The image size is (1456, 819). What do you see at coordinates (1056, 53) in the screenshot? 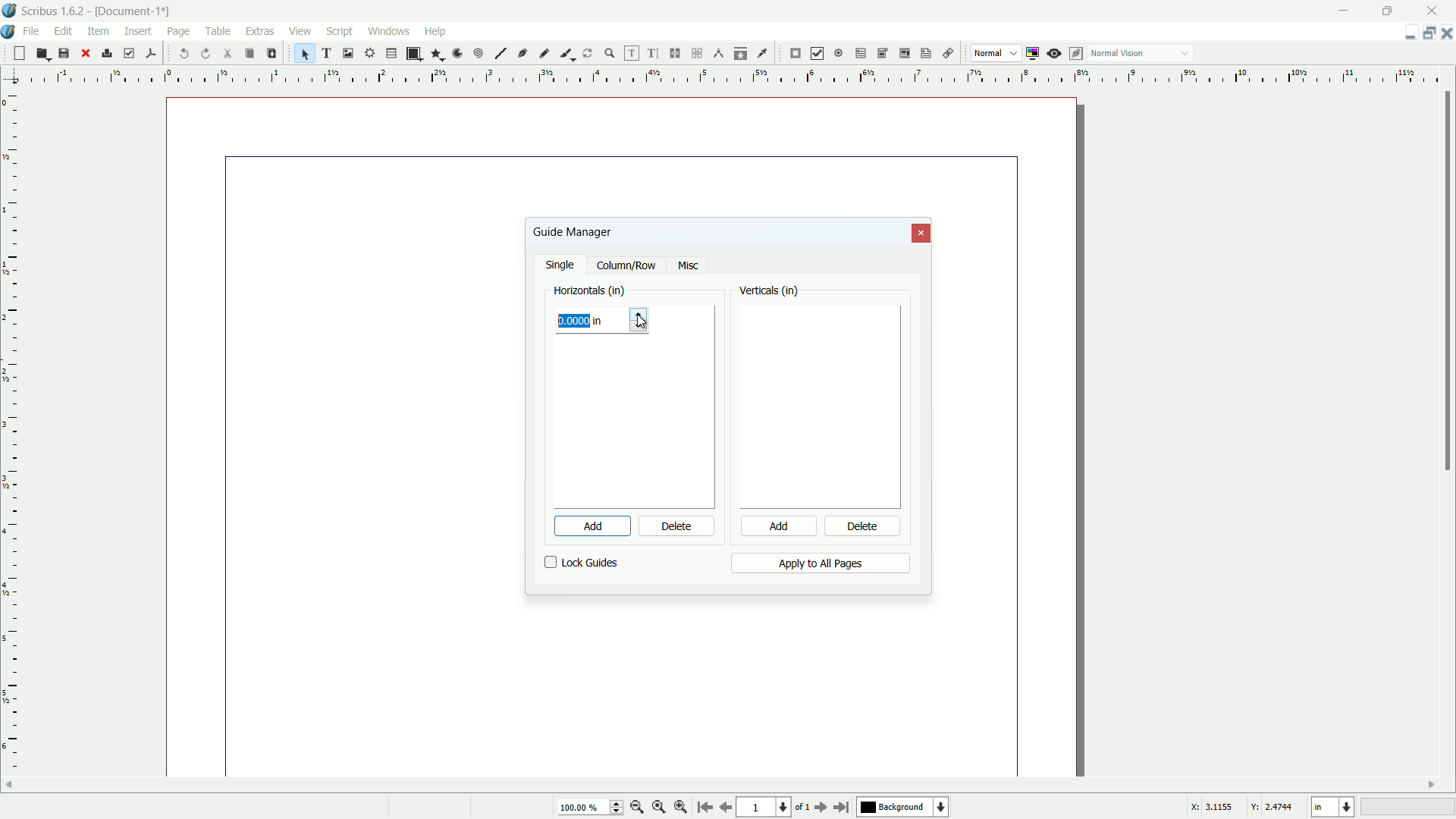
I see `preview mode` at bounding box center [1056, 53].